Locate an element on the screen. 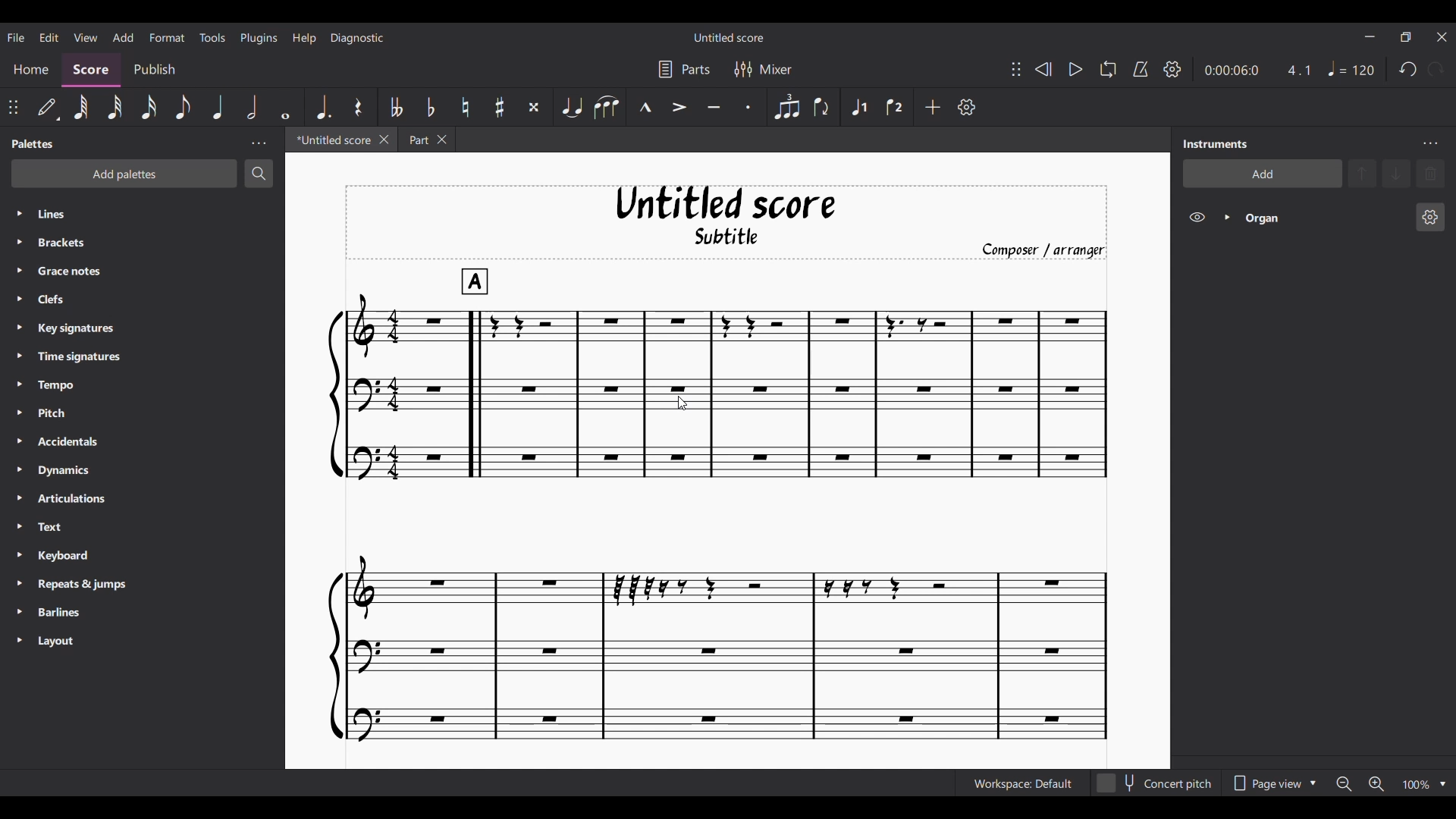 This screenshot has height=819, width=1456. Zoom in is located at coordinates (1376, 784).